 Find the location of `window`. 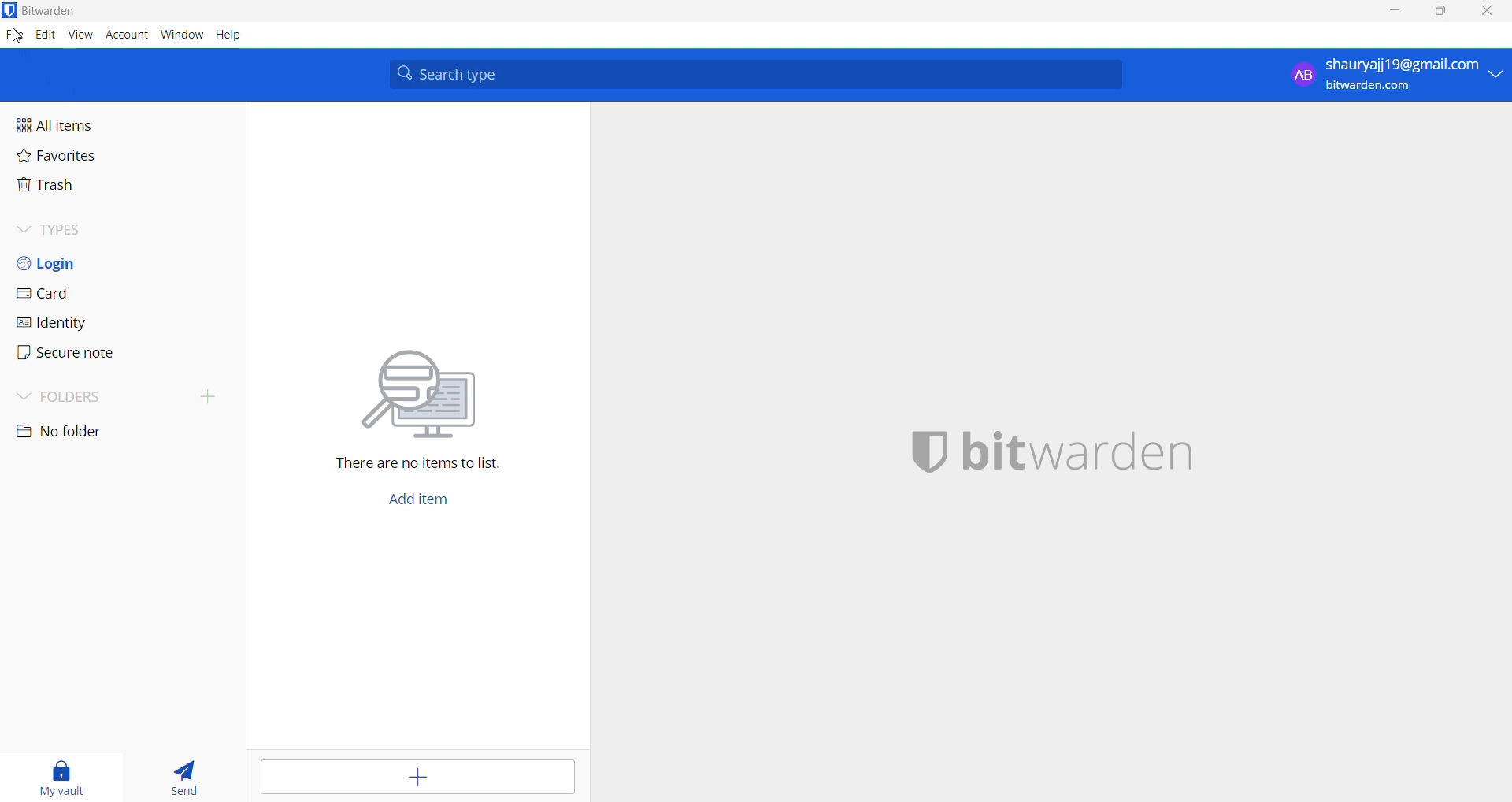

window is located at coordinates (179, 37).